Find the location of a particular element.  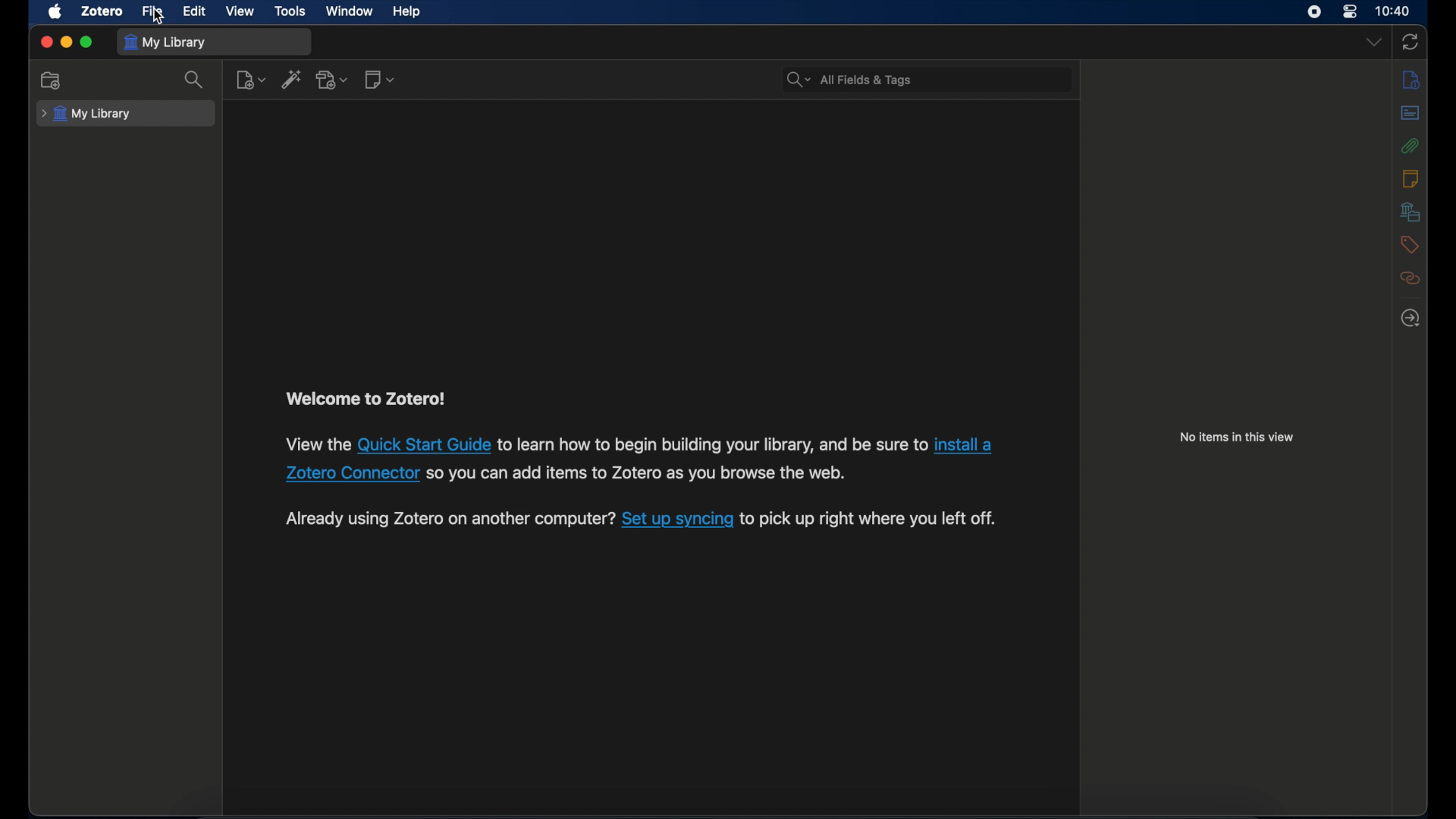

edit is located at coordinates (196, 10).